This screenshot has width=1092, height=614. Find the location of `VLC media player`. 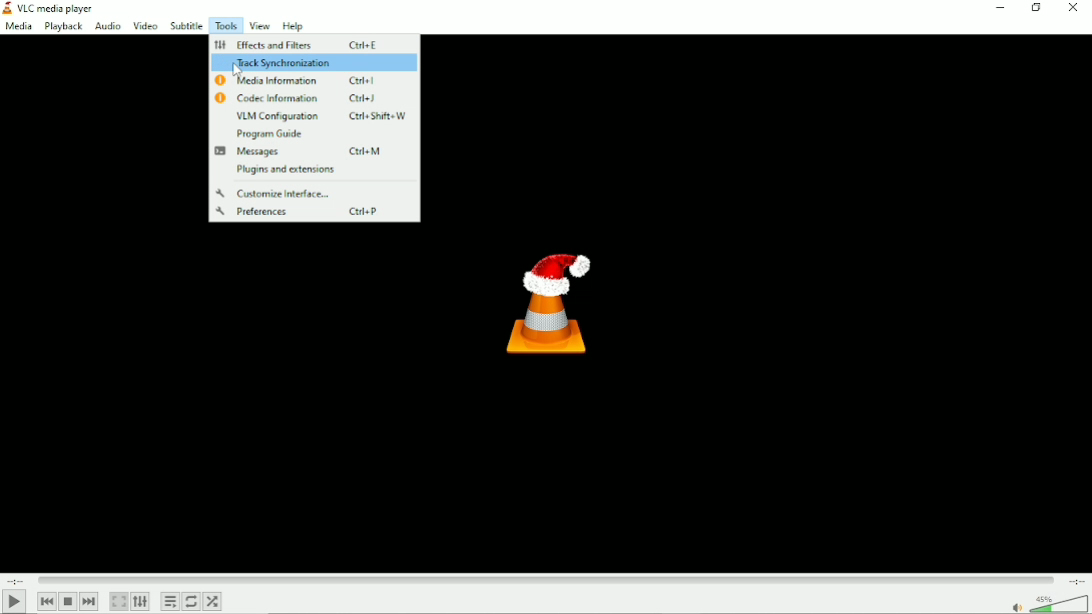

VLC media player is located at coordinates (50, 8).